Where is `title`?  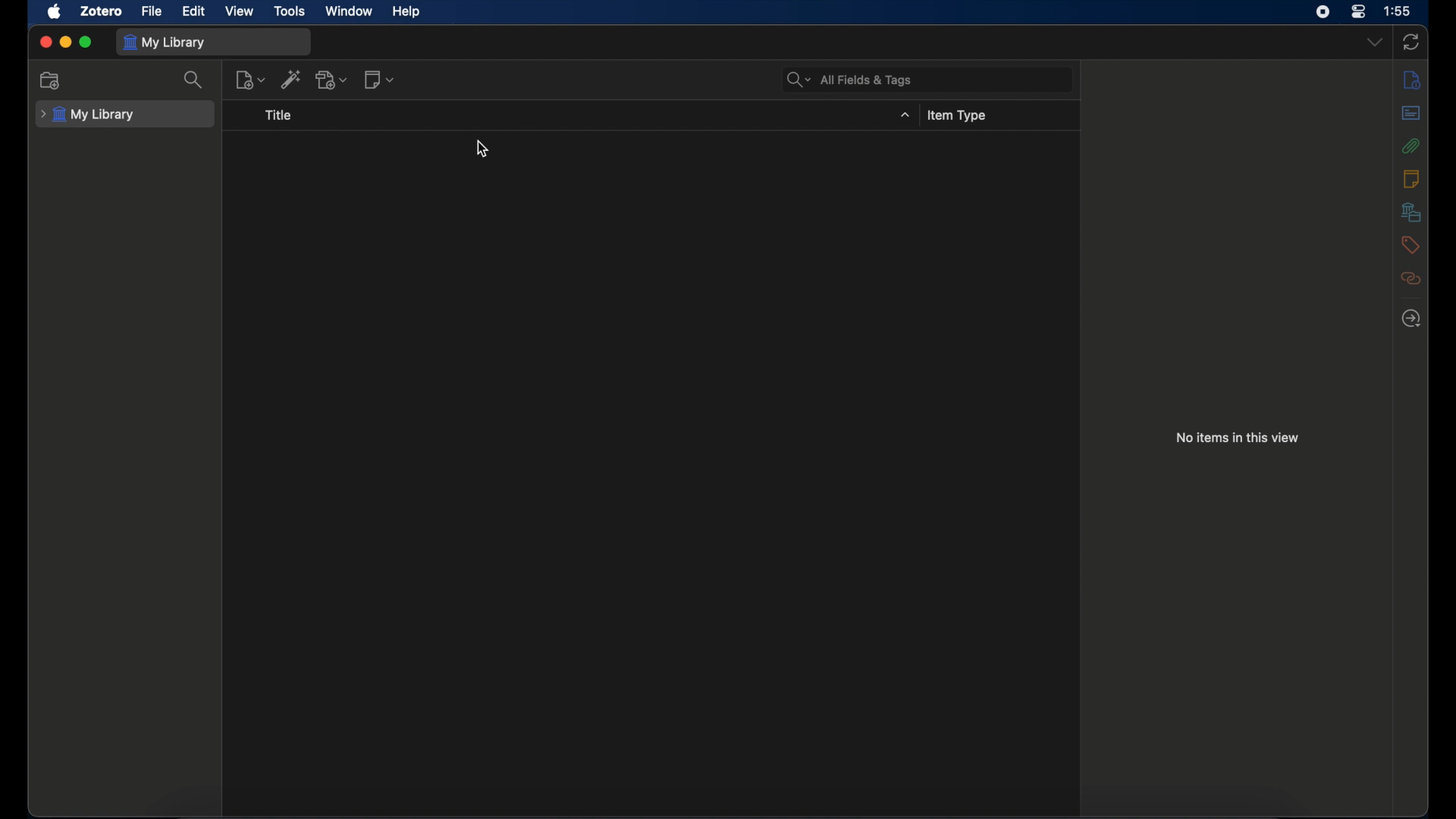
title is located at coordinates (278, 115).